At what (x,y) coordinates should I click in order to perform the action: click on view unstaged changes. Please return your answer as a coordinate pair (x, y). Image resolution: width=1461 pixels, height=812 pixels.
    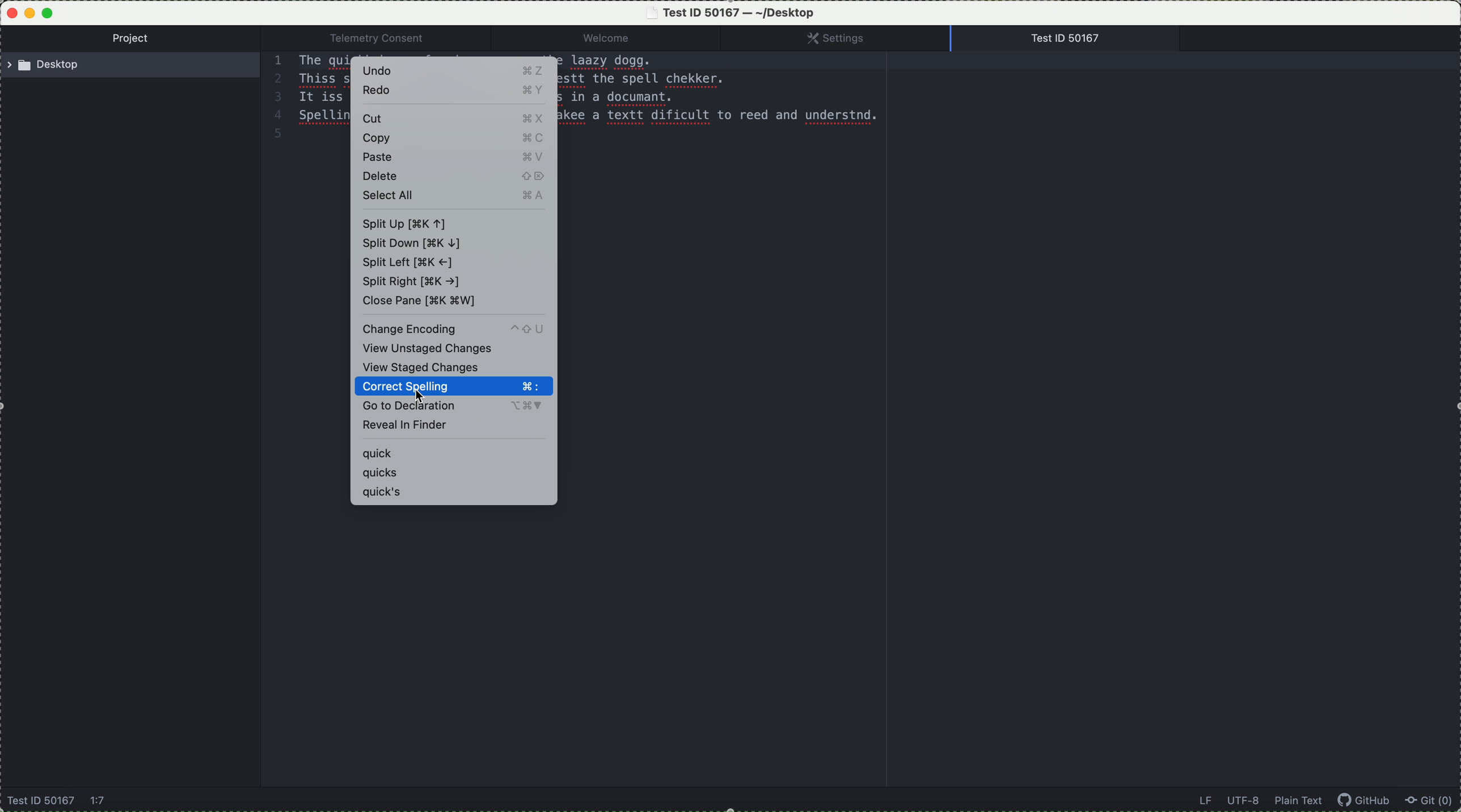
    Looking at the image, I should click on (430, 349).